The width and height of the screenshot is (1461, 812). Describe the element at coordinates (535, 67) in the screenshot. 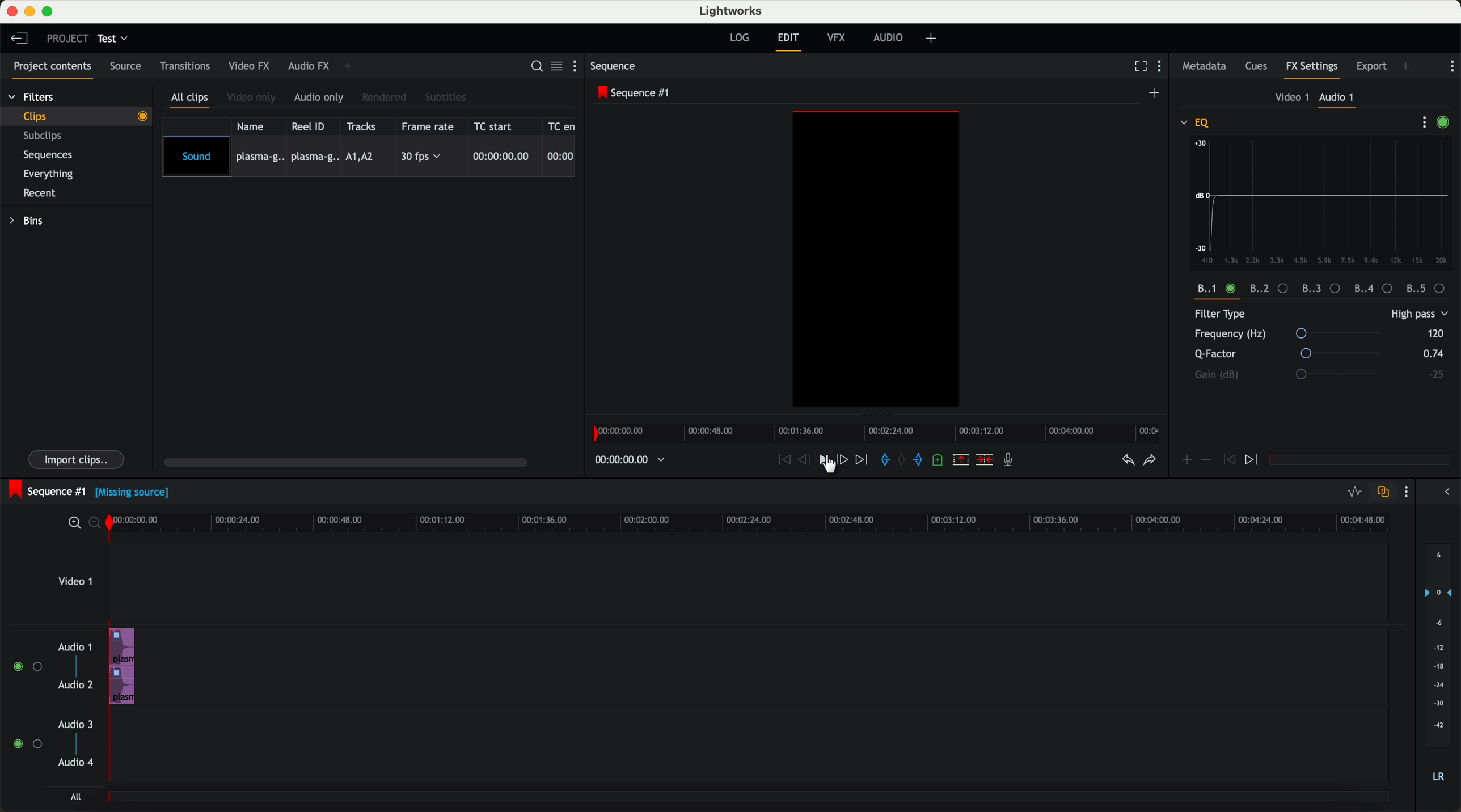

I see `search` at that location.